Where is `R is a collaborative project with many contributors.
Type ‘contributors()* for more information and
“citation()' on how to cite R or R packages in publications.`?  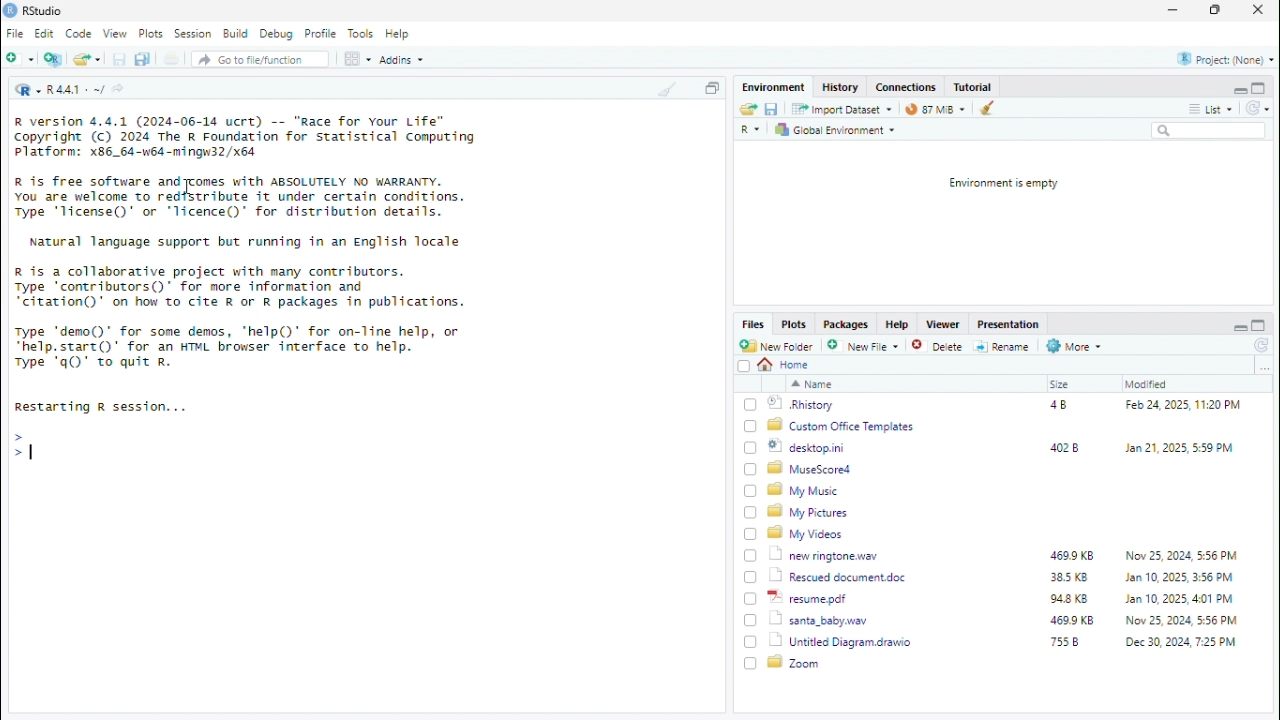
R is a collaborative project with many contributors.
Type ‘contributors()* for more information and
“citation()' on how to cite R or R packages in publications. is located at coordinates (240, 288).